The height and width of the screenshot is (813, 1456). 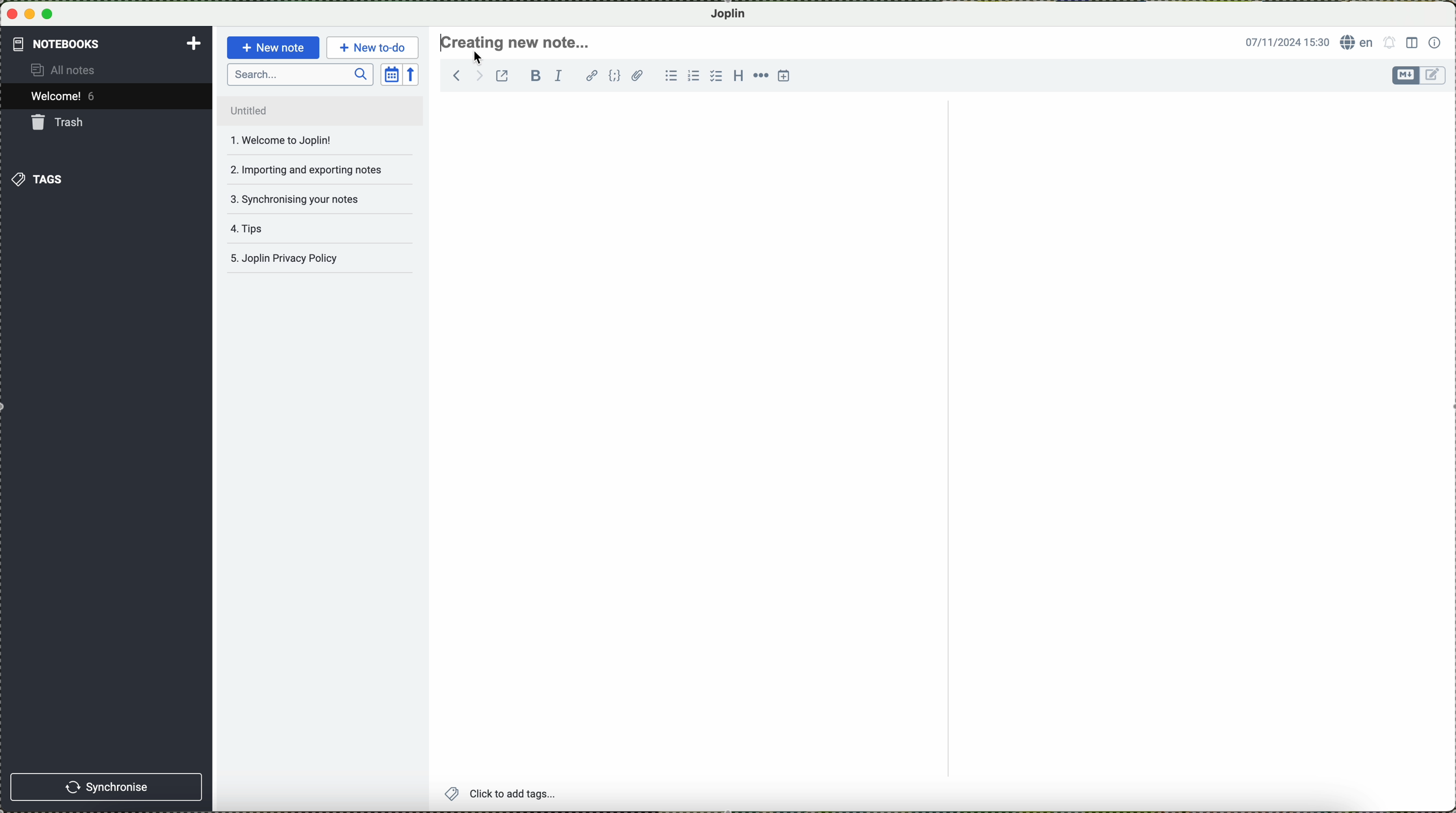 What do you see at coordinates (1357, 42) in the screenshot?
I see `language` at bounding box center [1357, 42].